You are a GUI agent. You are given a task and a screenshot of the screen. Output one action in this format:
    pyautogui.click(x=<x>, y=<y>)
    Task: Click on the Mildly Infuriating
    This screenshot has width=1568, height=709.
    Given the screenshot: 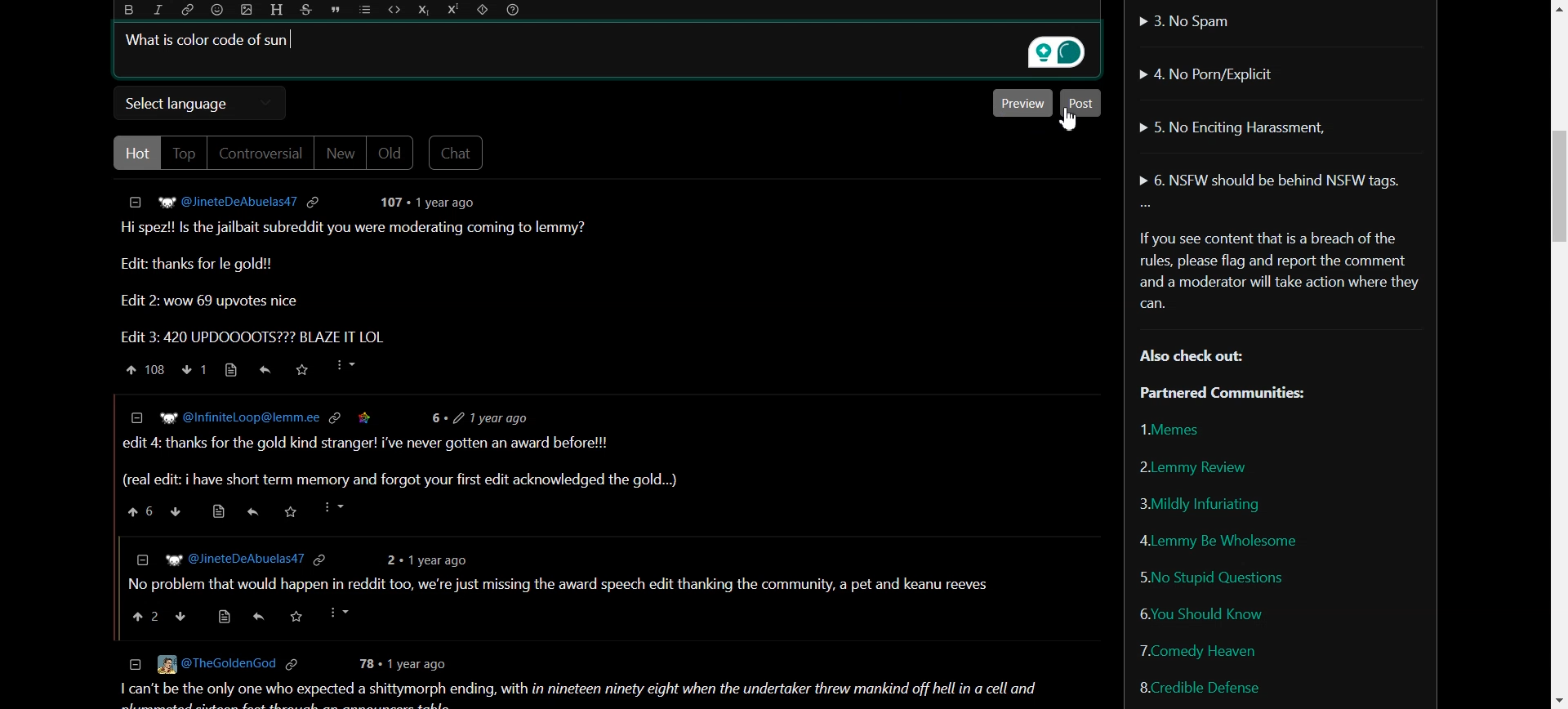 What is the action you would take?
    pyautogui.click(x=1199, y=504)
    